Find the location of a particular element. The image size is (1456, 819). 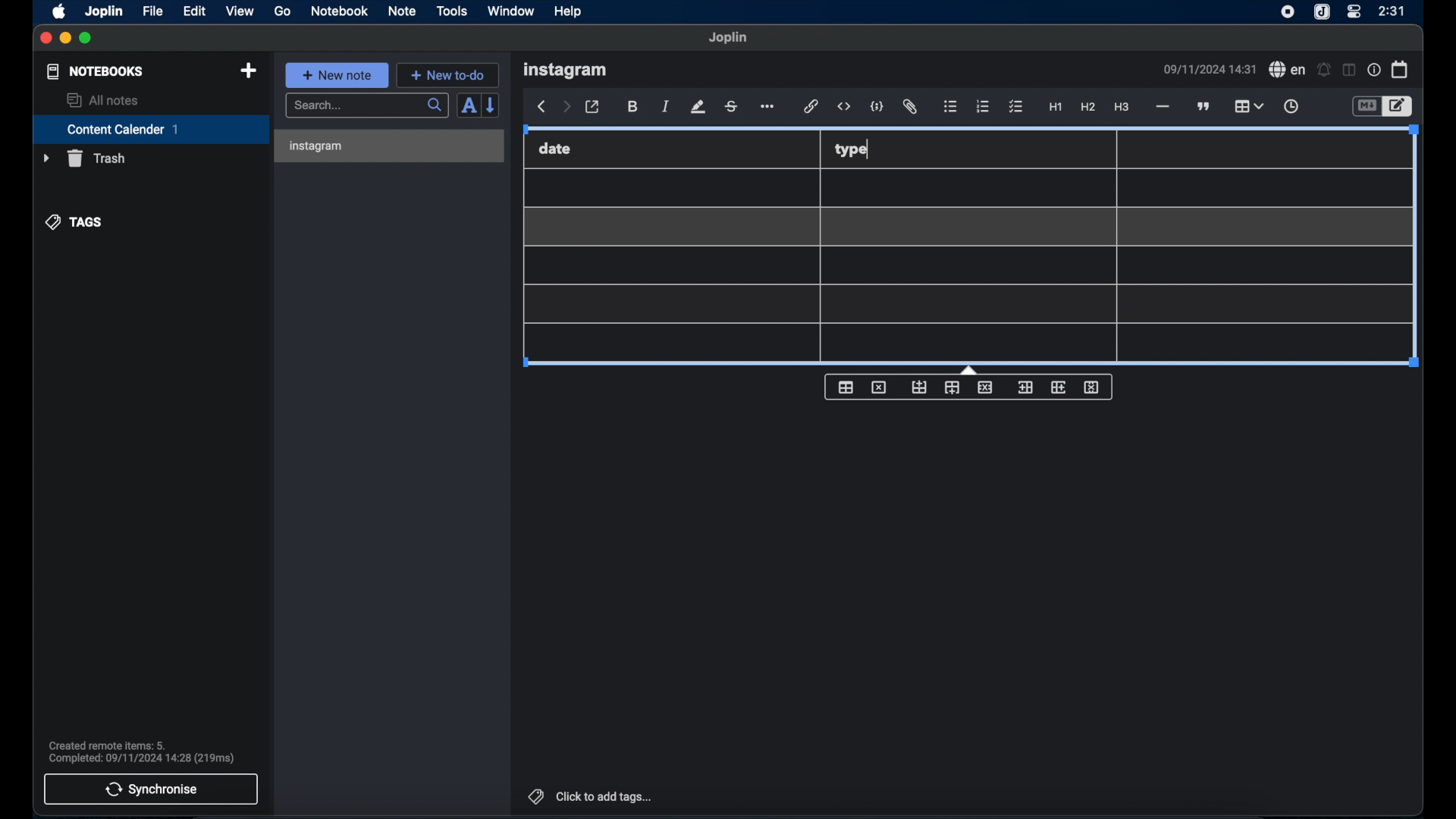

edit is located at coordinates (196, 12).